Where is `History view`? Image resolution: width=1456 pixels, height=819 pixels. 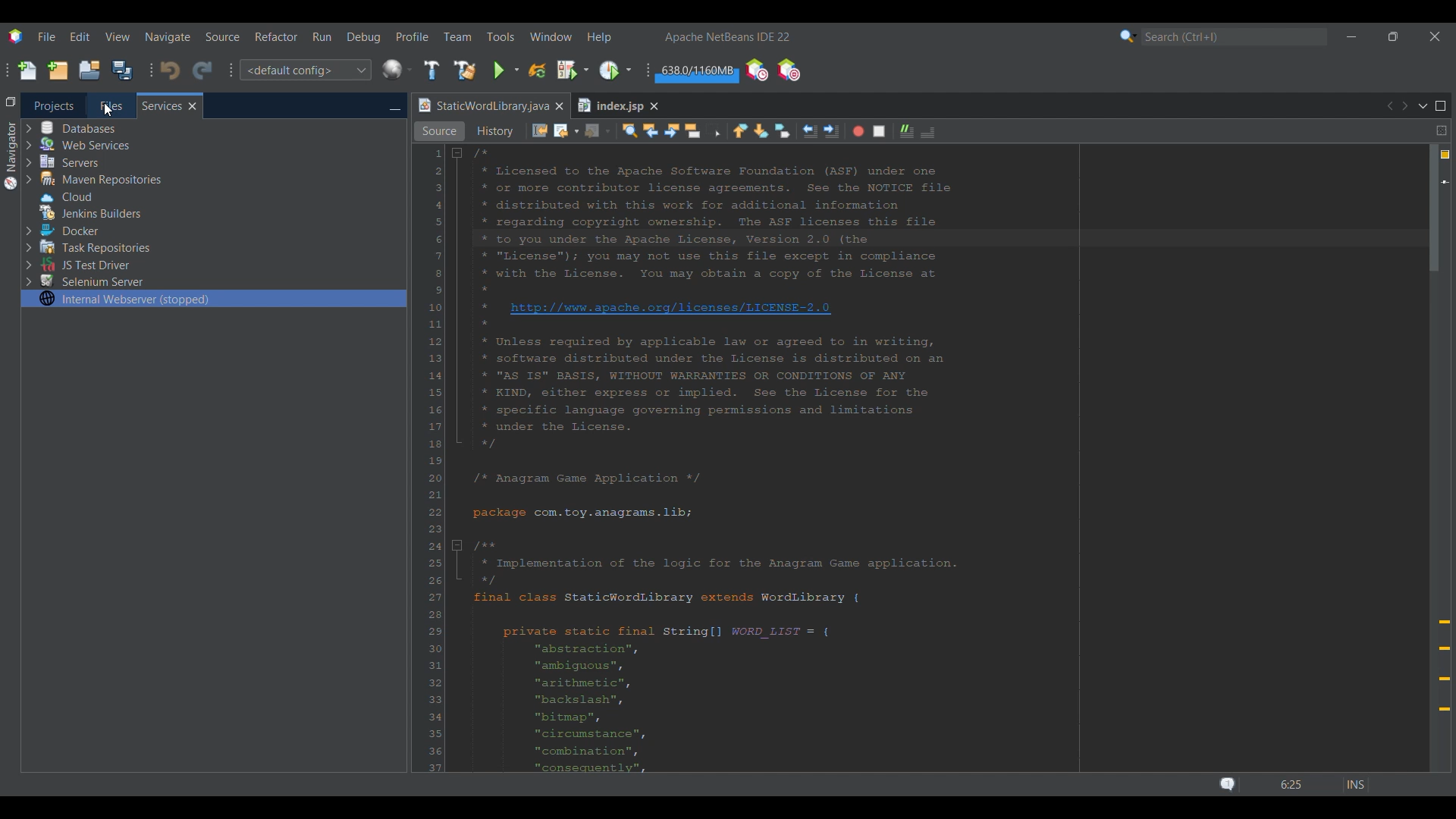
History view is located at coordinates (494, 131).